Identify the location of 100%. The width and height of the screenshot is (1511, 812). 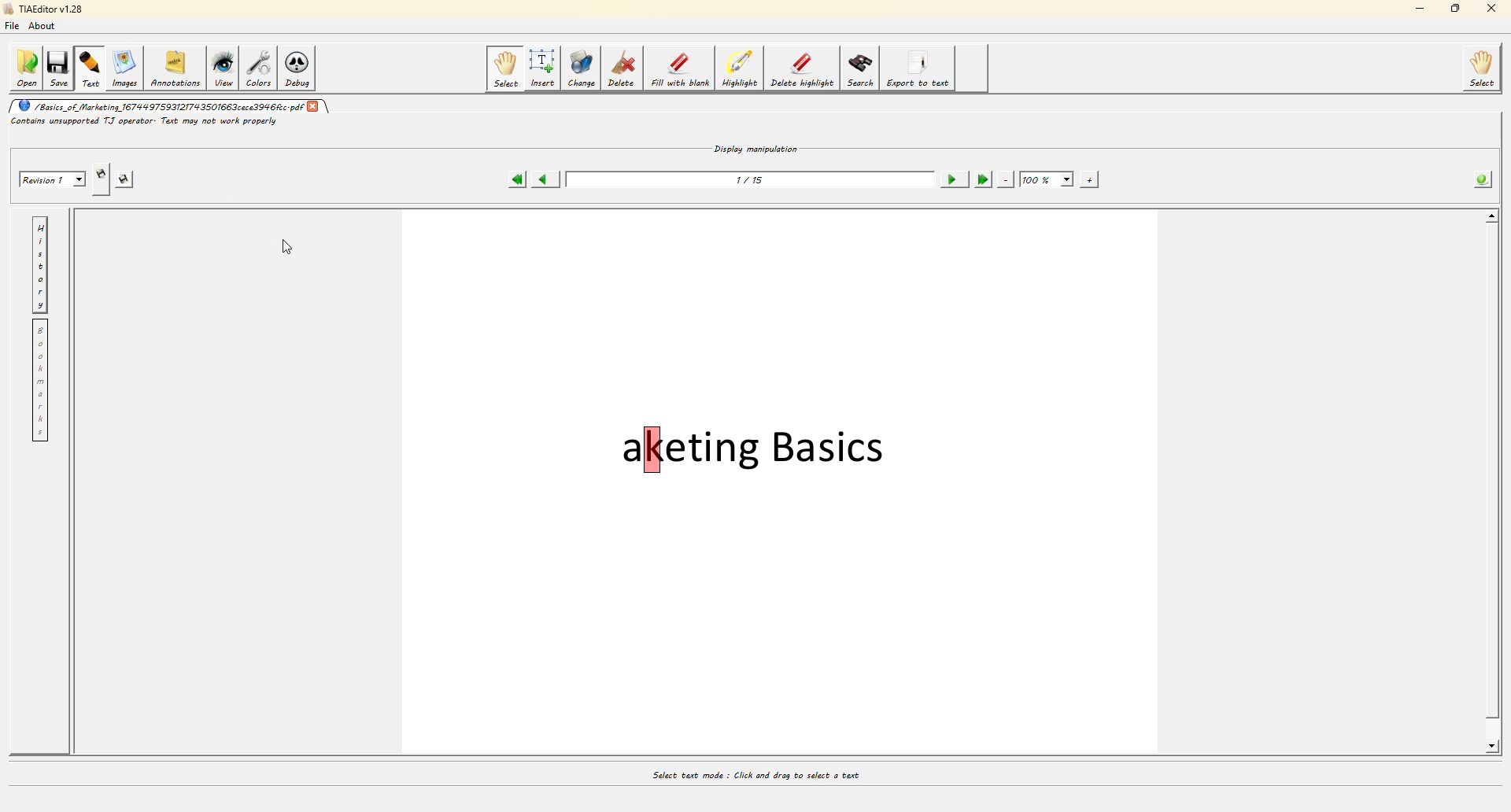
(1046, 176).